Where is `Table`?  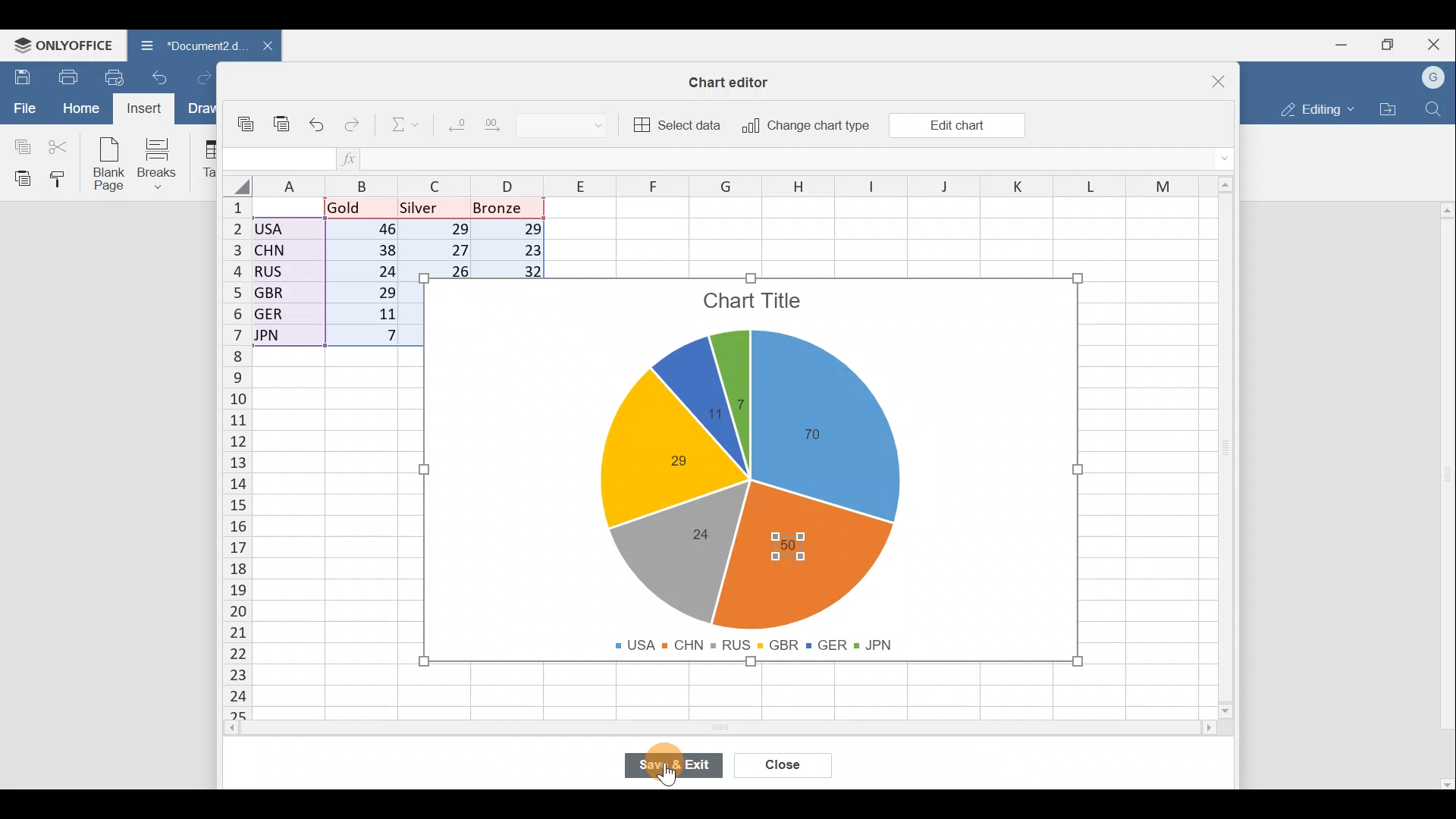 Table is located at coordinates (205, 159).